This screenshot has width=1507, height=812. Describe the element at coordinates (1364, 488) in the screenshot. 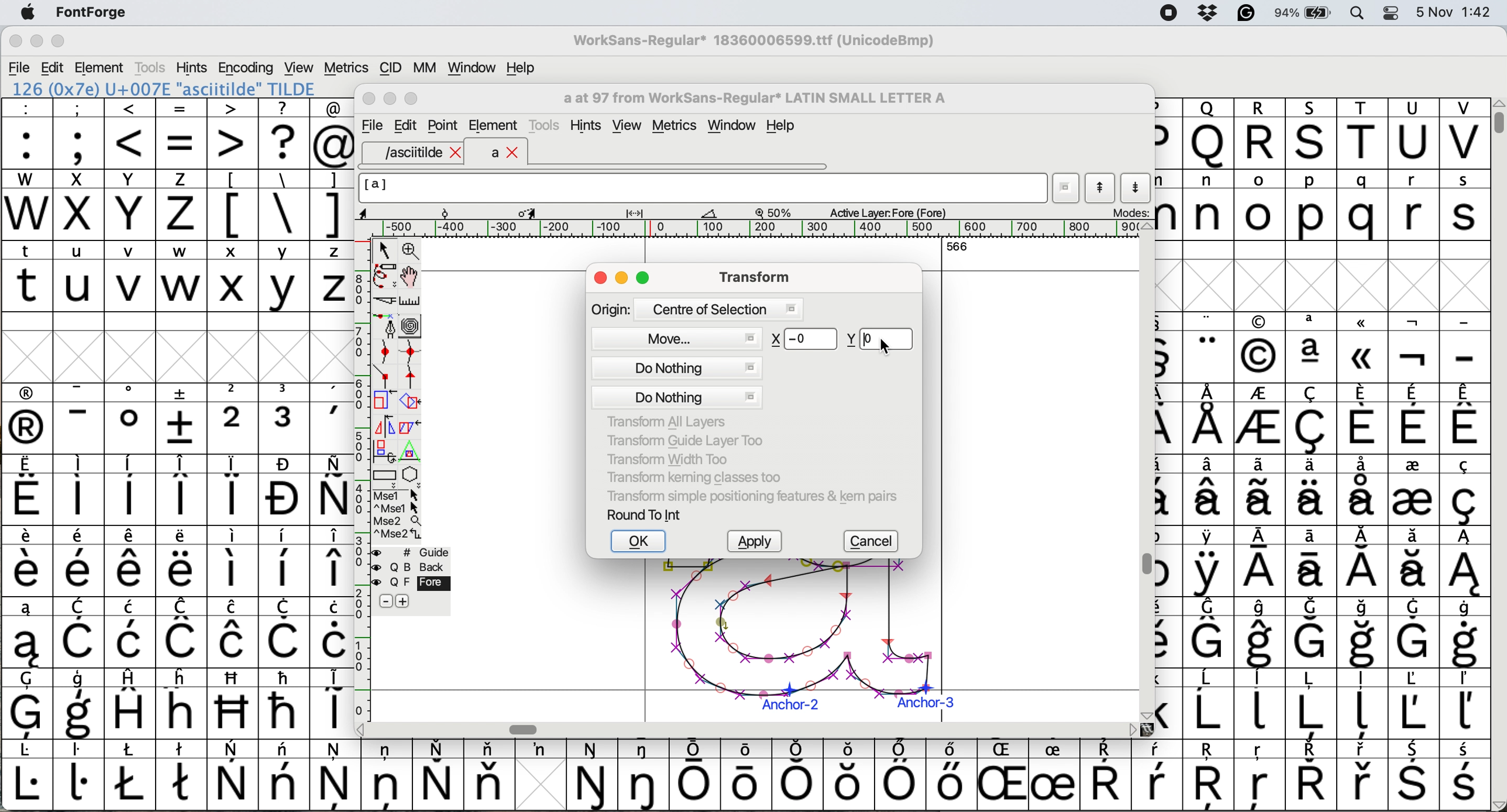

I see `symbol` at that location.